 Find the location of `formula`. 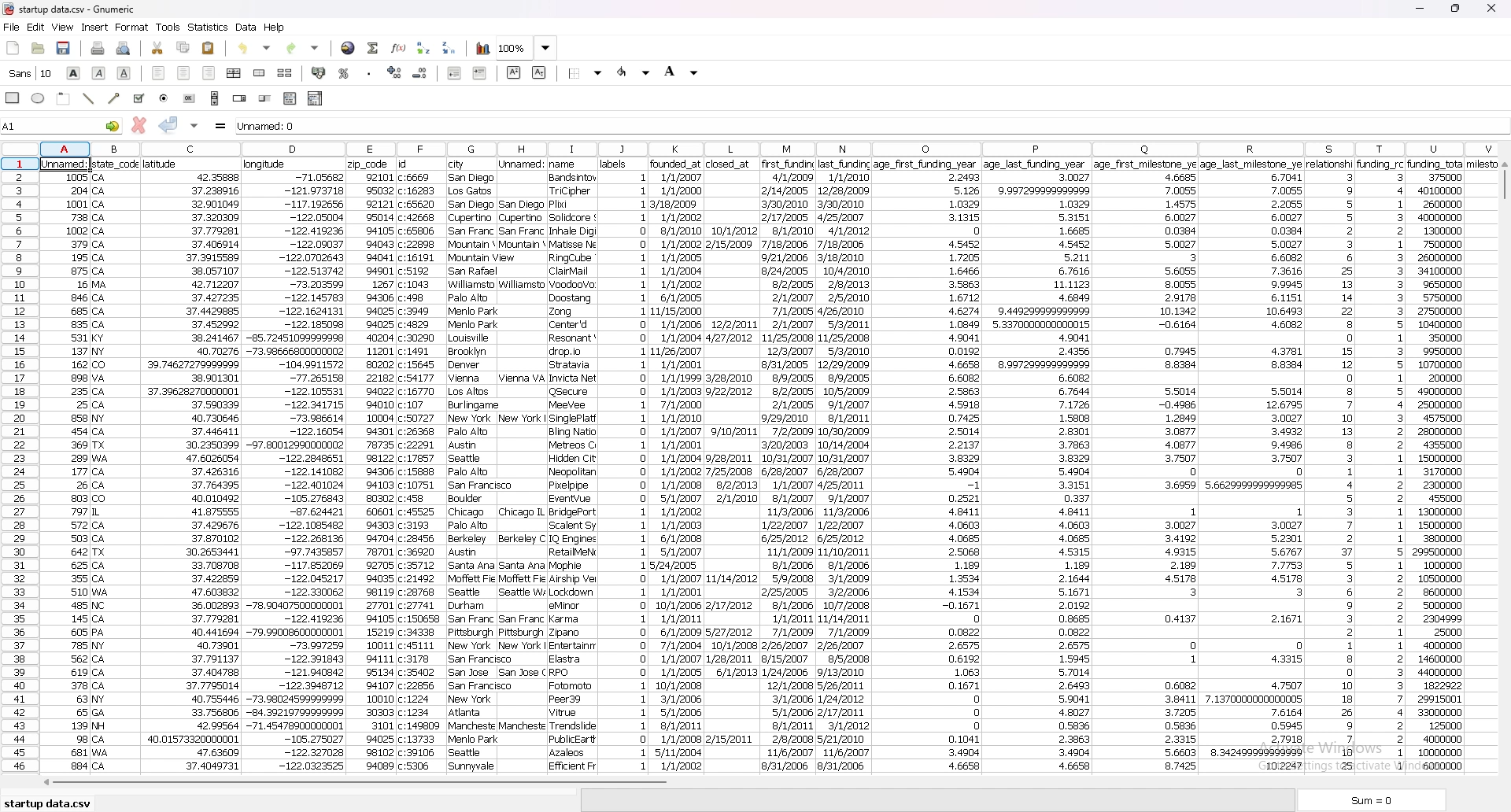

formula is located at coordinates (221, 125).